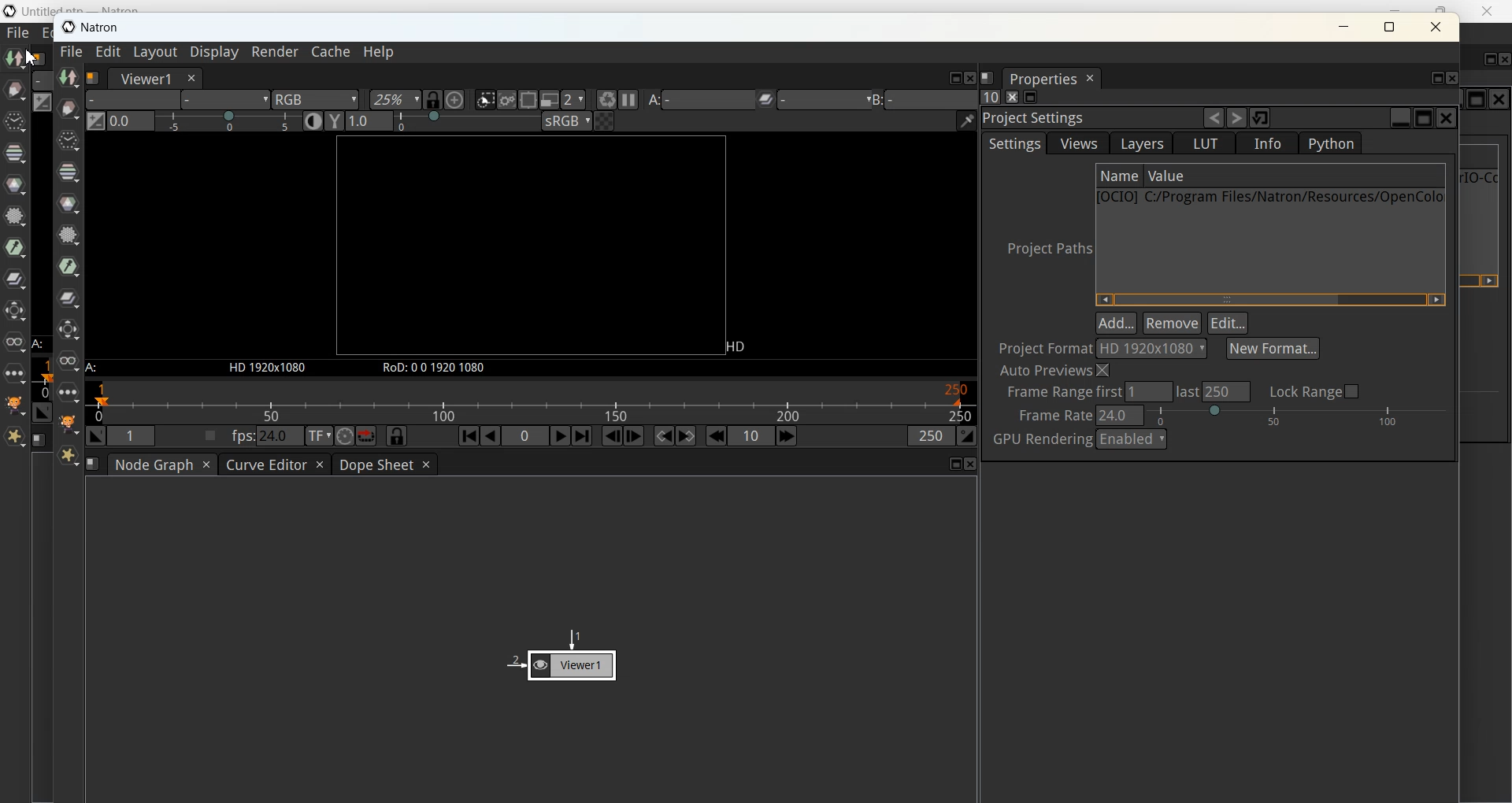  What do you see at coordinates (758, 423) in the screenshot?
I see `New project` at bounding box center [758, 423].